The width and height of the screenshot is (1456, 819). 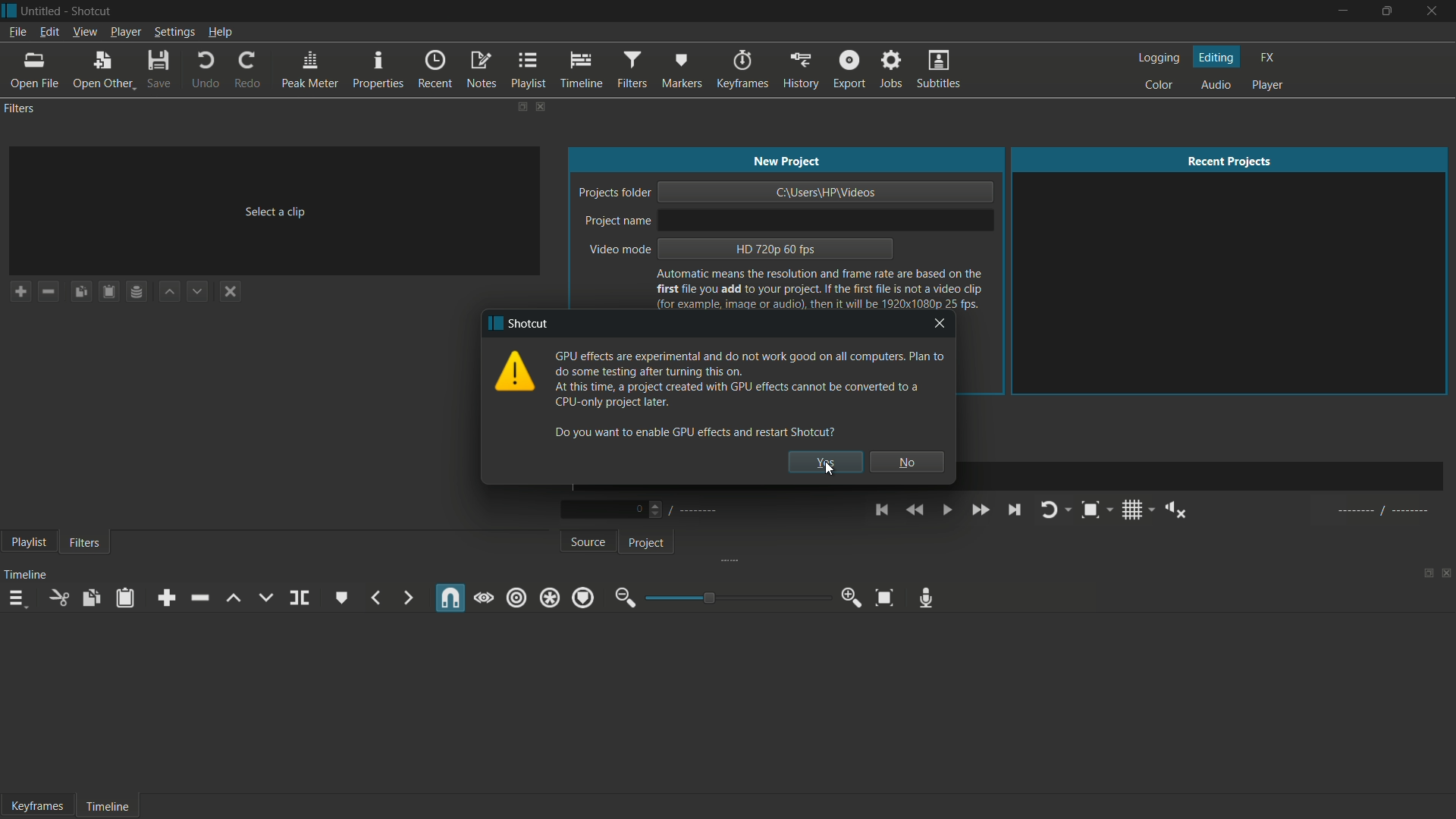 I want to click on paste, so click(x=124, y=598).